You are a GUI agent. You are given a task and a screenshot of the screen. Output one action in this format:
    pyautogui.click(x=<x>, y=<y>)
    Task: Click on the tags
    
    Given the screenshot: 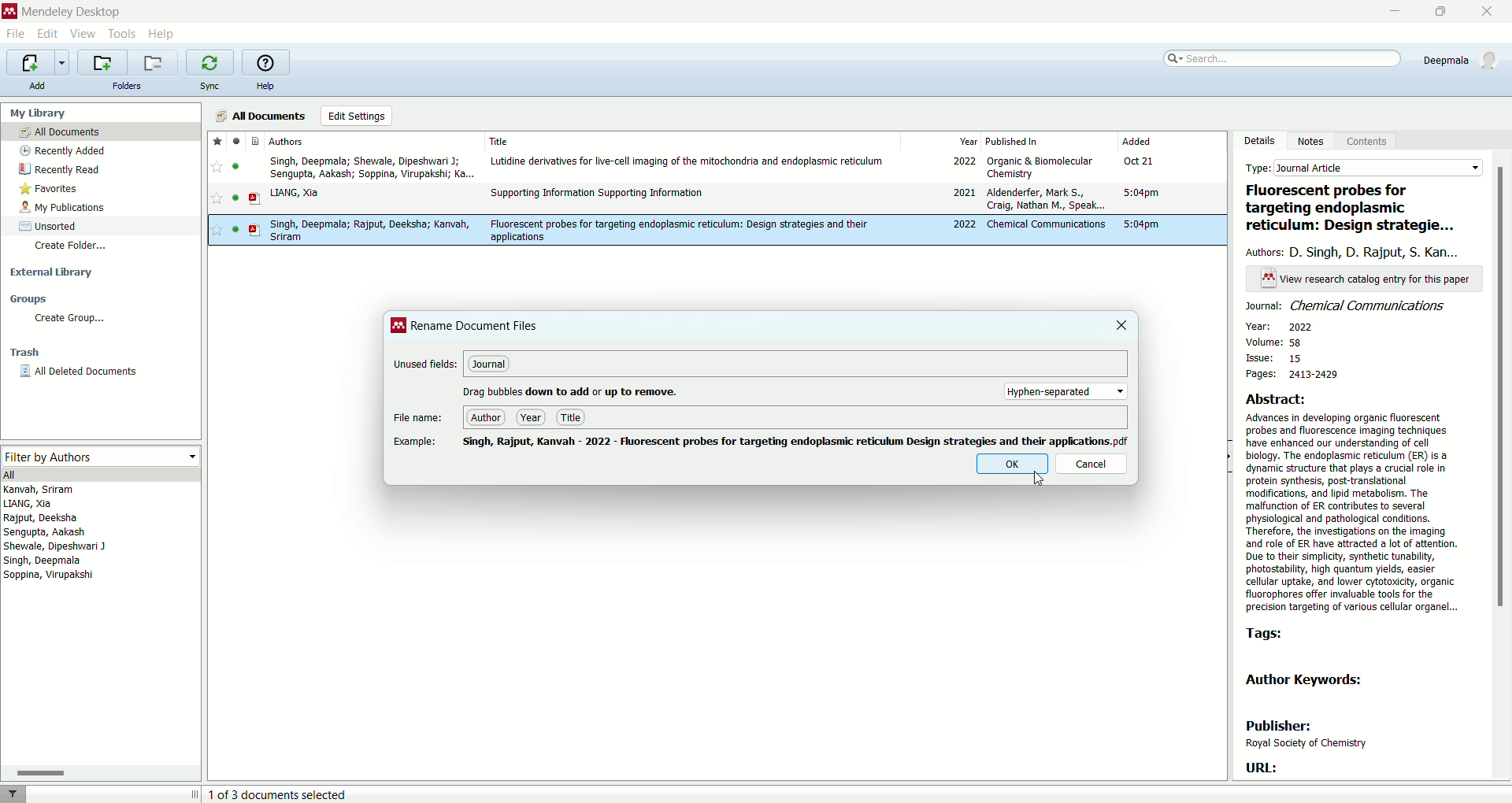 What is the action you would take?
    pyautogui.click(x=1273, y=635)
    